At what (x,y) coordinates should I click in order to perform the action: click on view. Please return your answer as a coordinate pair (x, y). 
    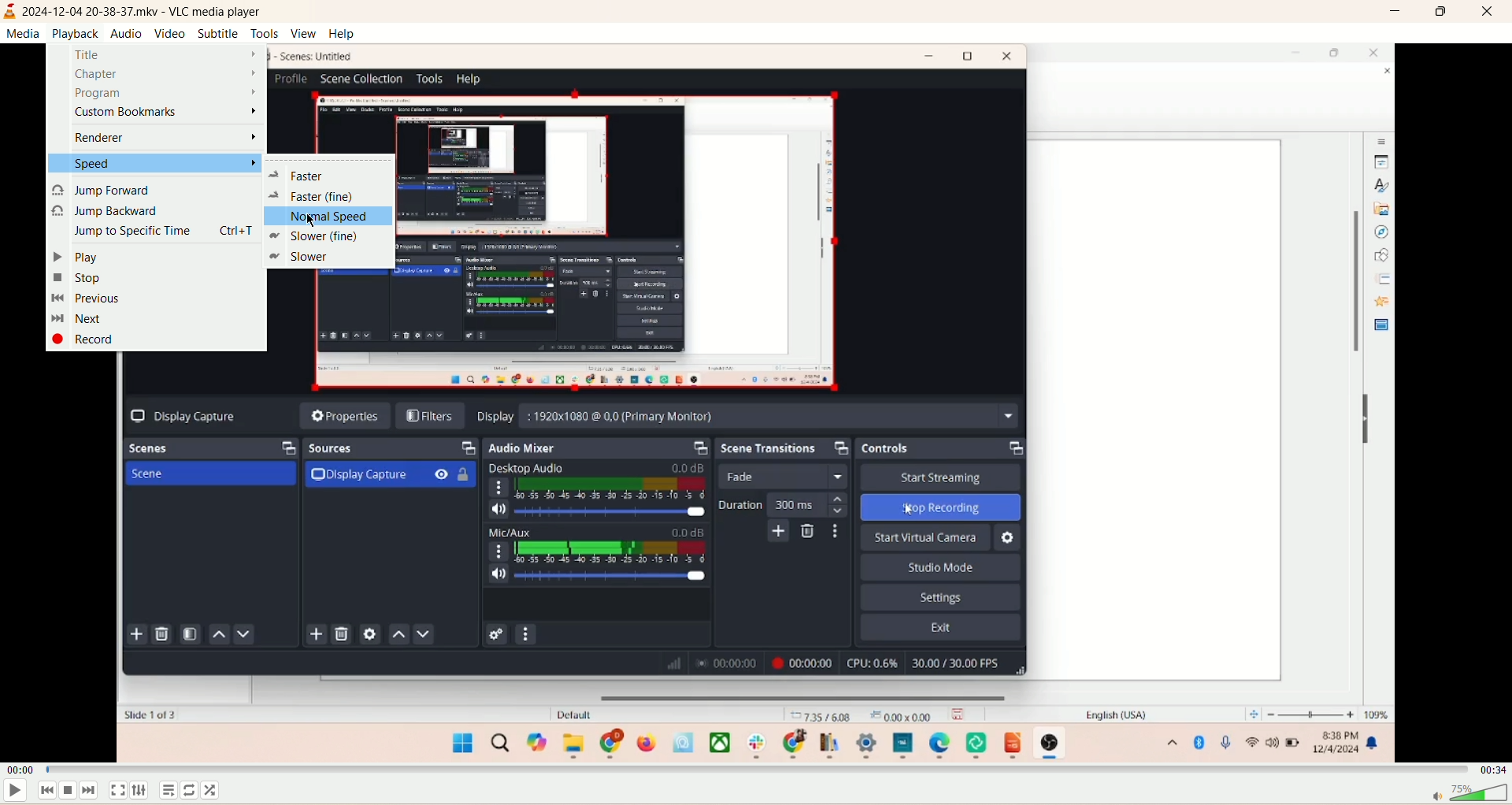
    Looking at the image, I should click on (303, 32).